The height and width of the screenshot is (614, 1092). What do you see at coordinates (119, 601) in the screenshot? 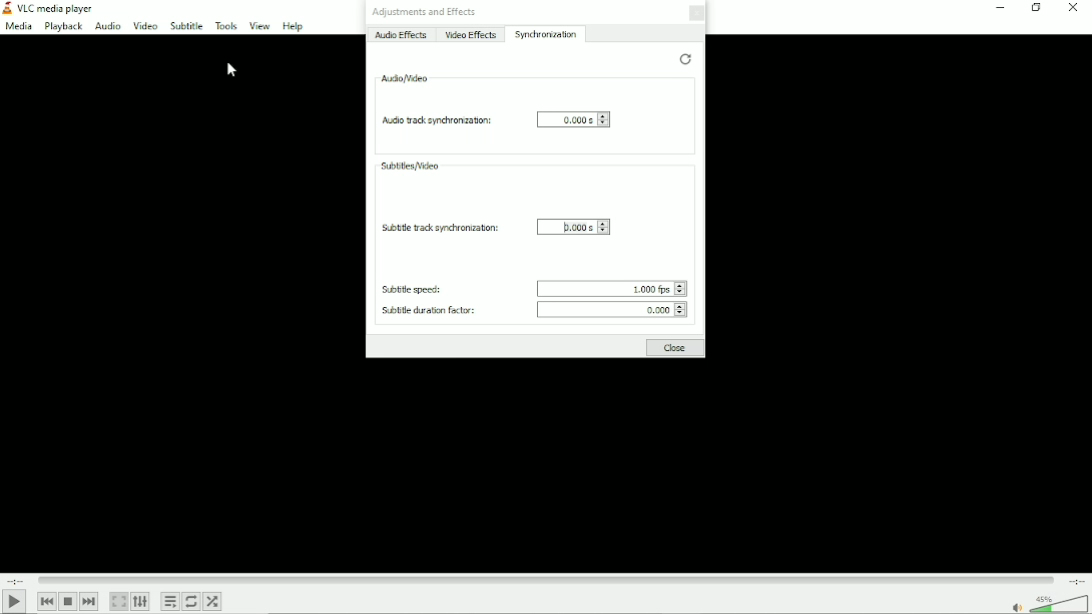
I see `Toggle video in fullscreen` at bounding box center [119, 601].